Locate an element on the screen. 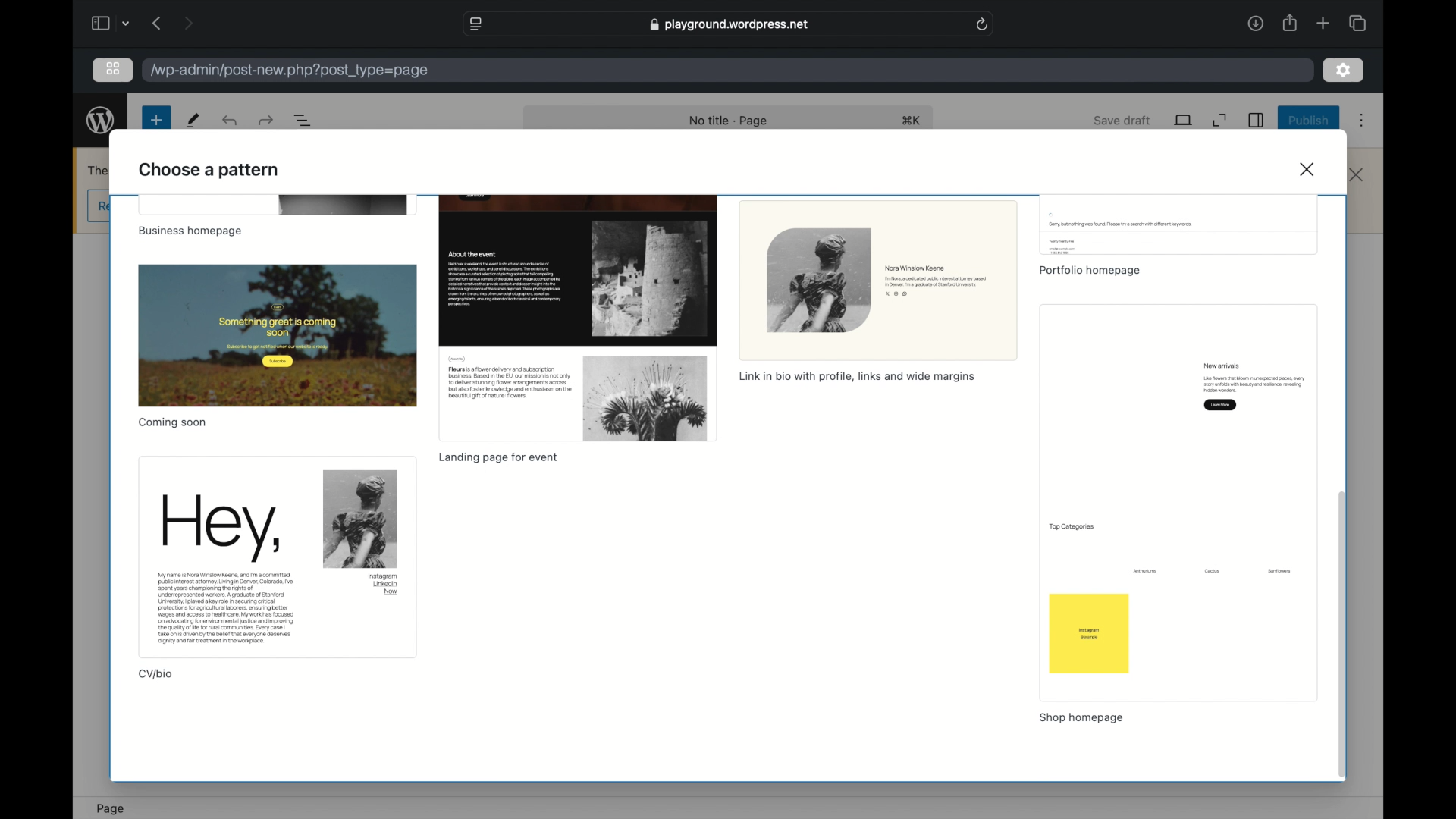 This screenshot has height=819, width=1456. wordpress address is located at coordinates (288, 71).